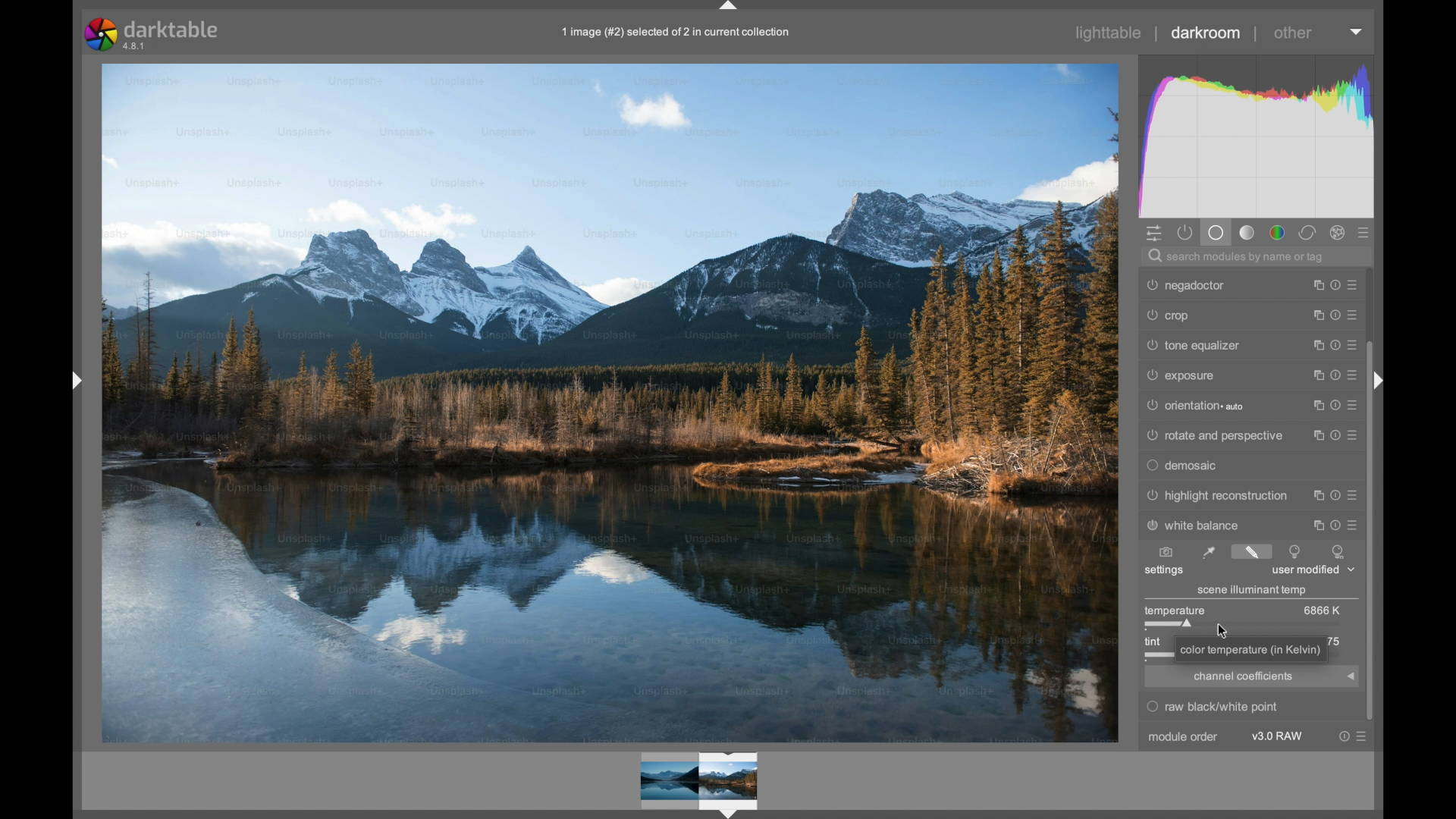 This screenshot has height=819, width=1456. Describe the element at coordinates (1334, 462) in the screenshot. I see `reset parameters` at that location.